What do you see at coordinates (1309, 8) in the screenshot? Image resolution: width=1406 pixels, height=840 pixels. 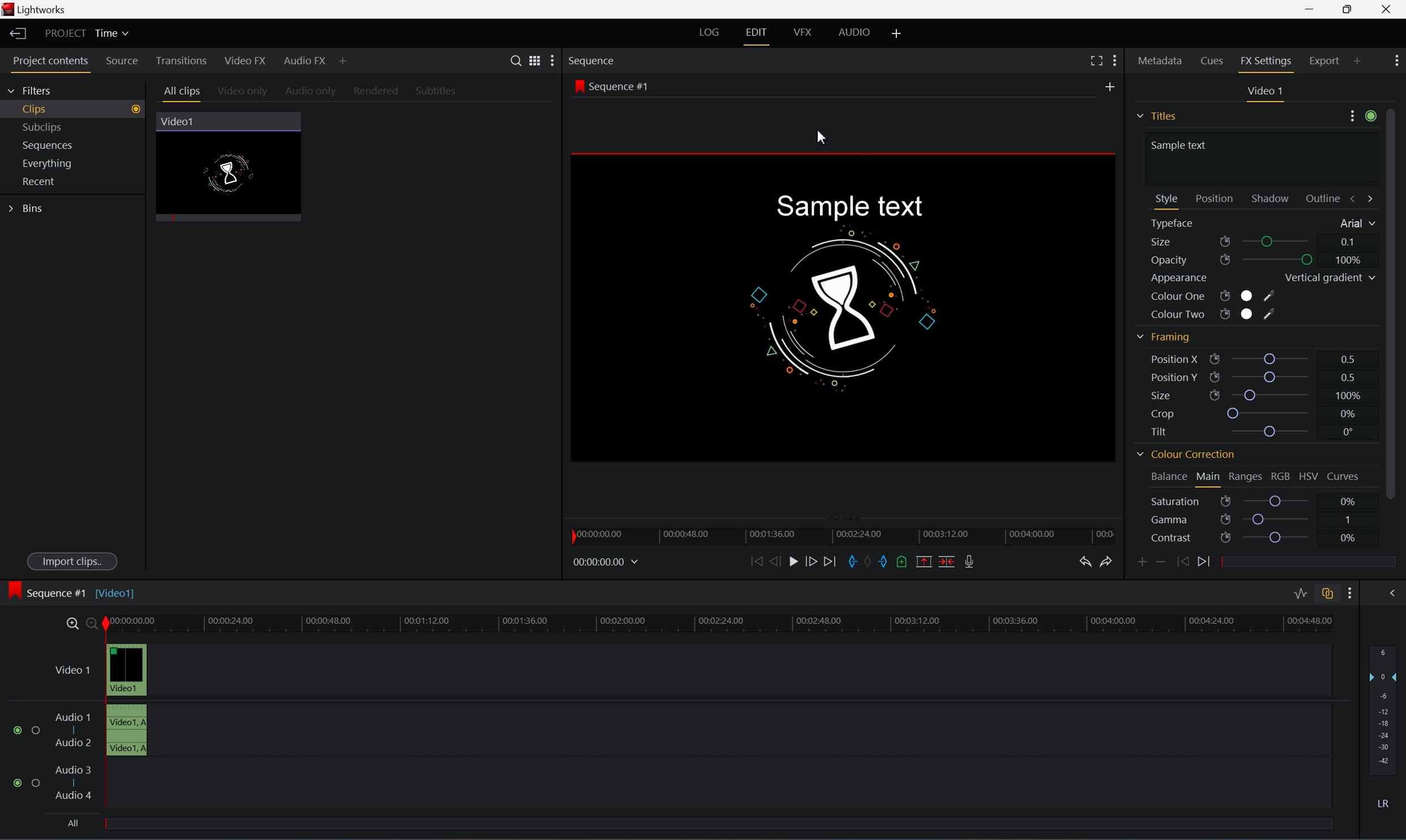 I see `minimize` at bounding box center [1309, 8].